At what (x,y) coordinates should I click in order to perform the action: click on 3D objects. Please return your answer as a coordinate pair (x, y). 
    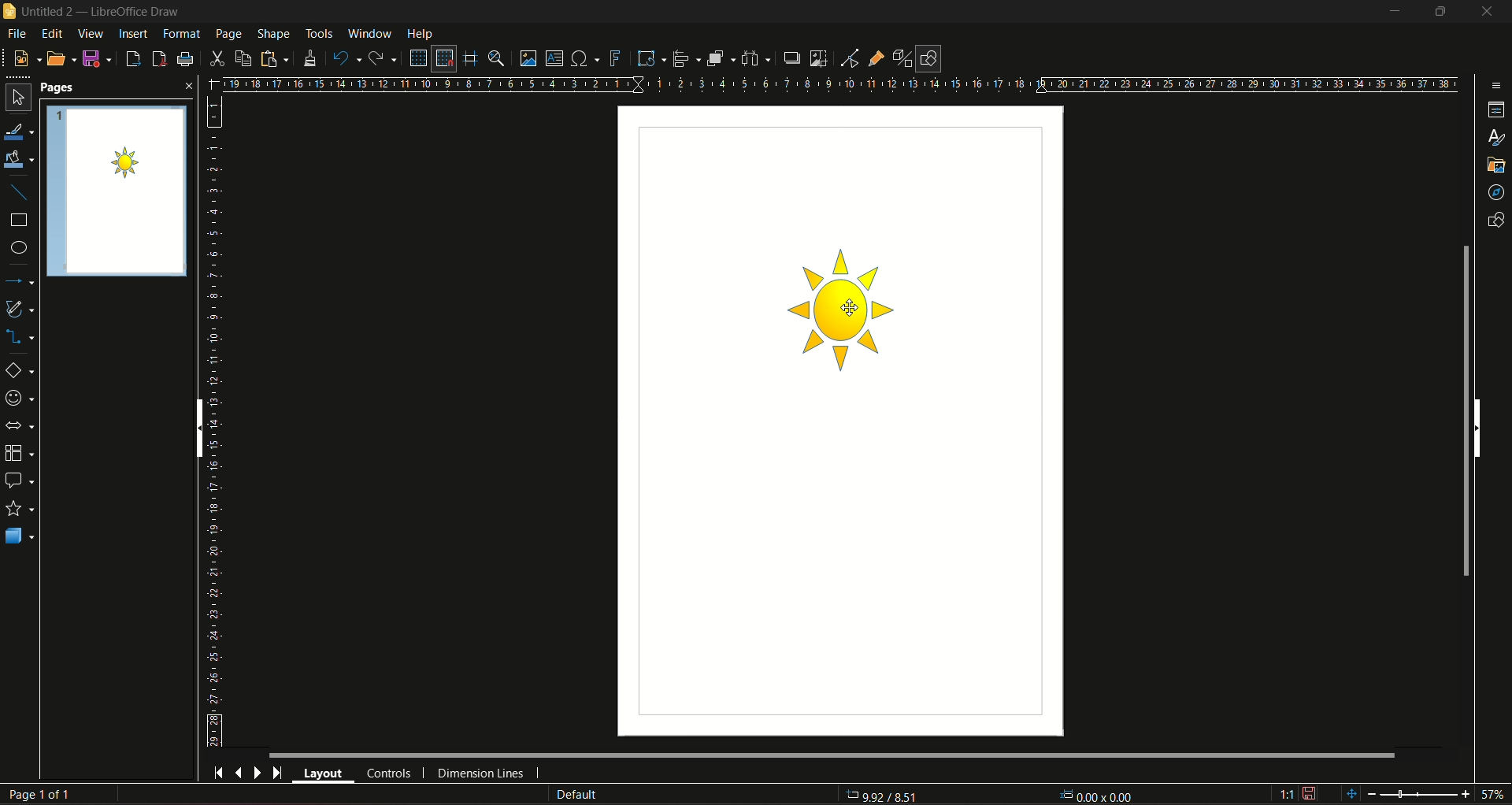
    Looking at the image, I should click on (20, 537).